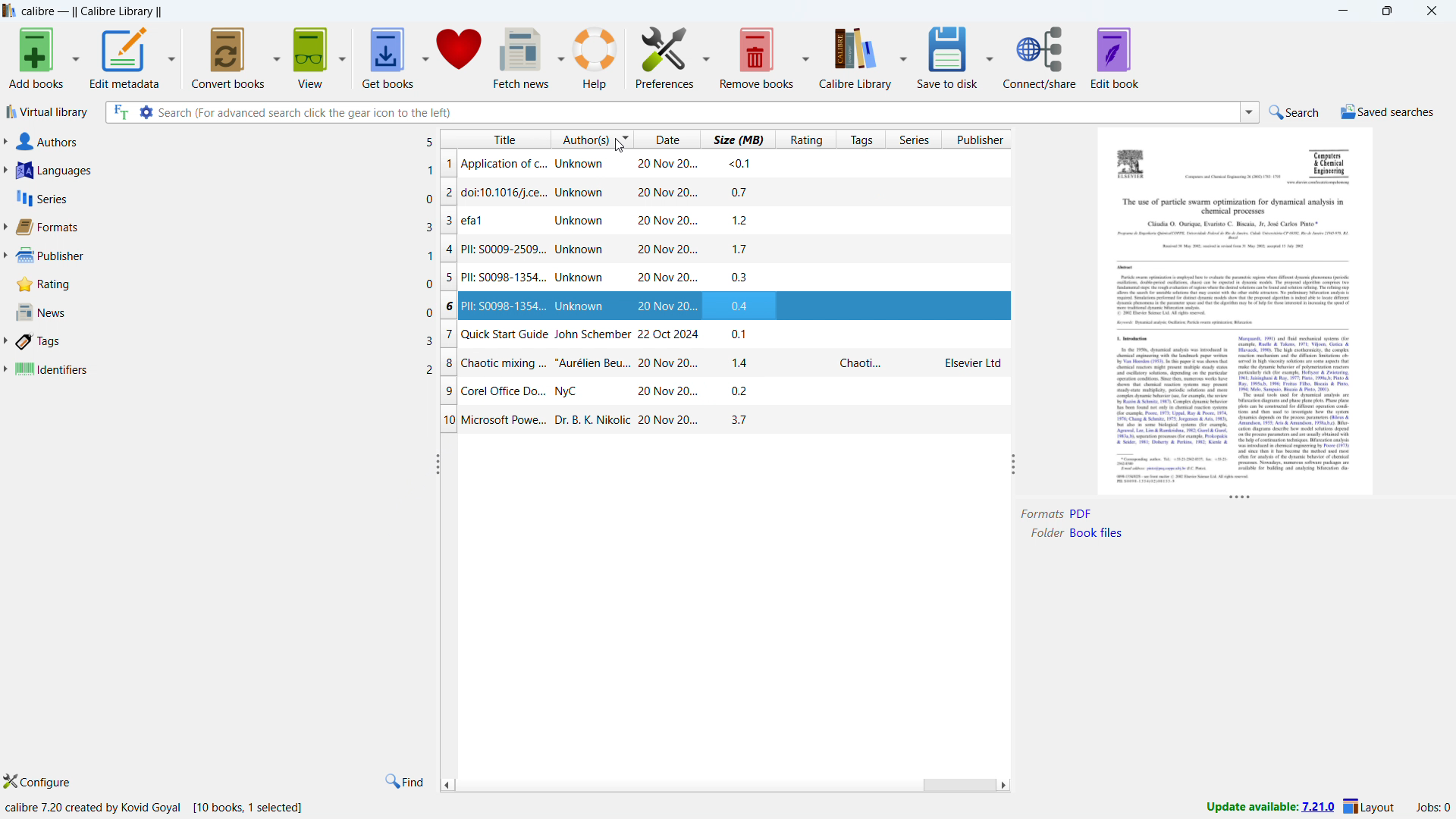  Describe the element at coordinates (1294, 113) in the screenshot. I see `search` at that location.